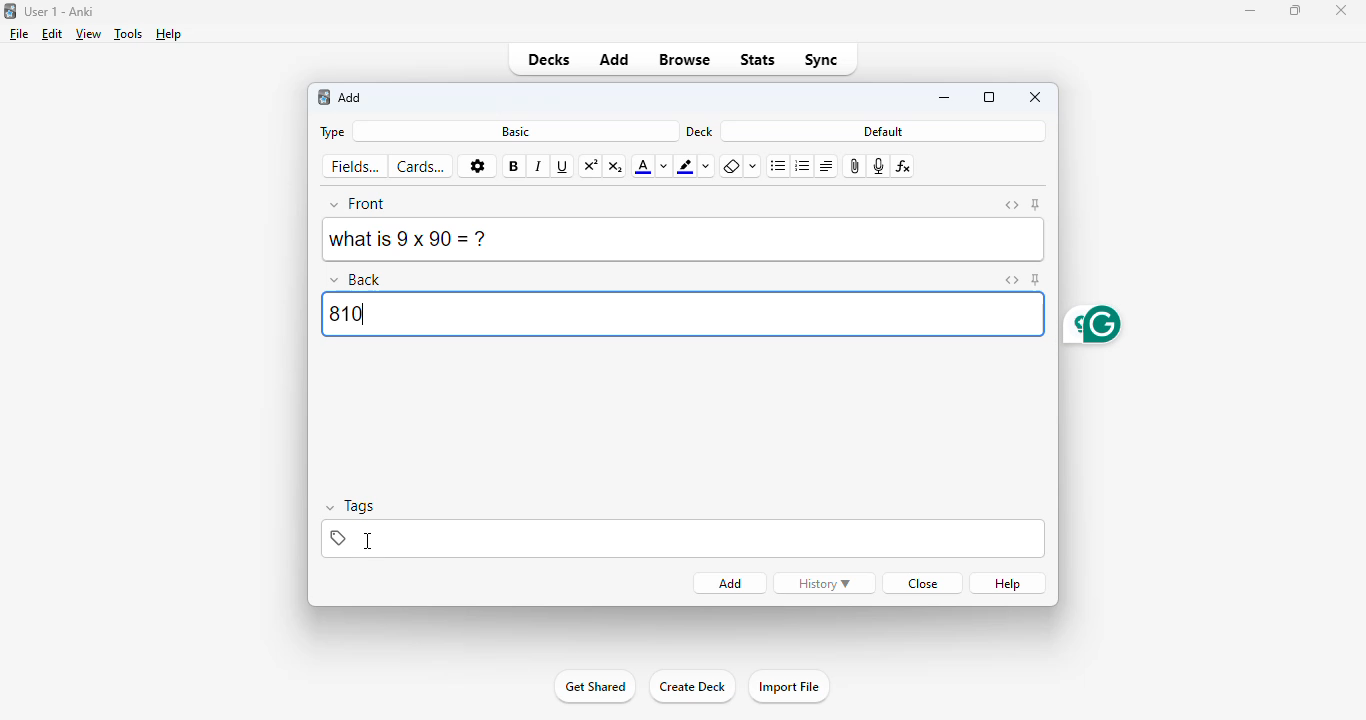 Image resolution: width=1366 pixels, height=720 pixels. What do you see at coordinates (731, 584) in the screenshot?
I see `add` at bounding box center [731, 584].